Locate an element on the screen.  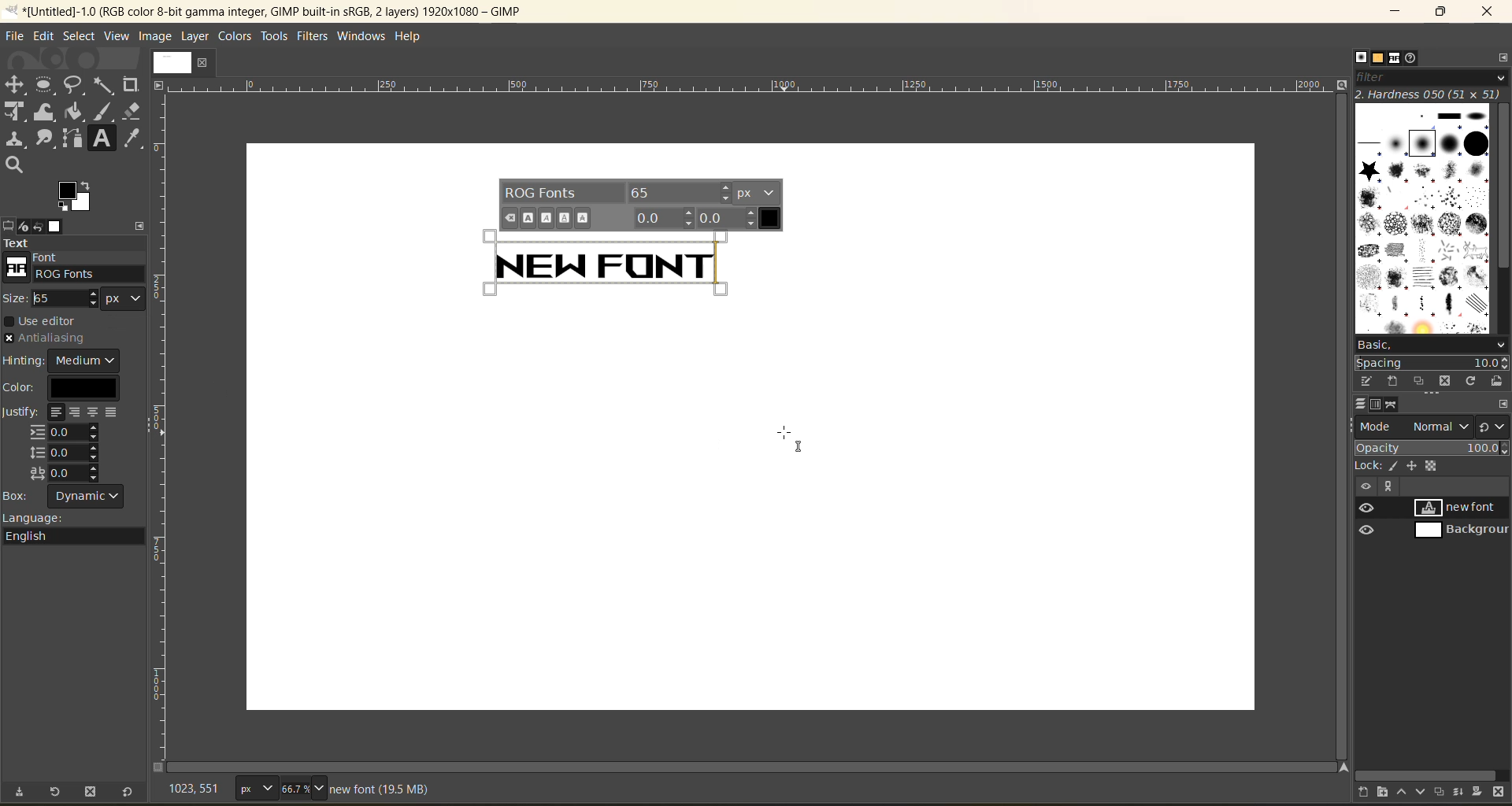
create a new layer group is located at coordinates (1384, 793).